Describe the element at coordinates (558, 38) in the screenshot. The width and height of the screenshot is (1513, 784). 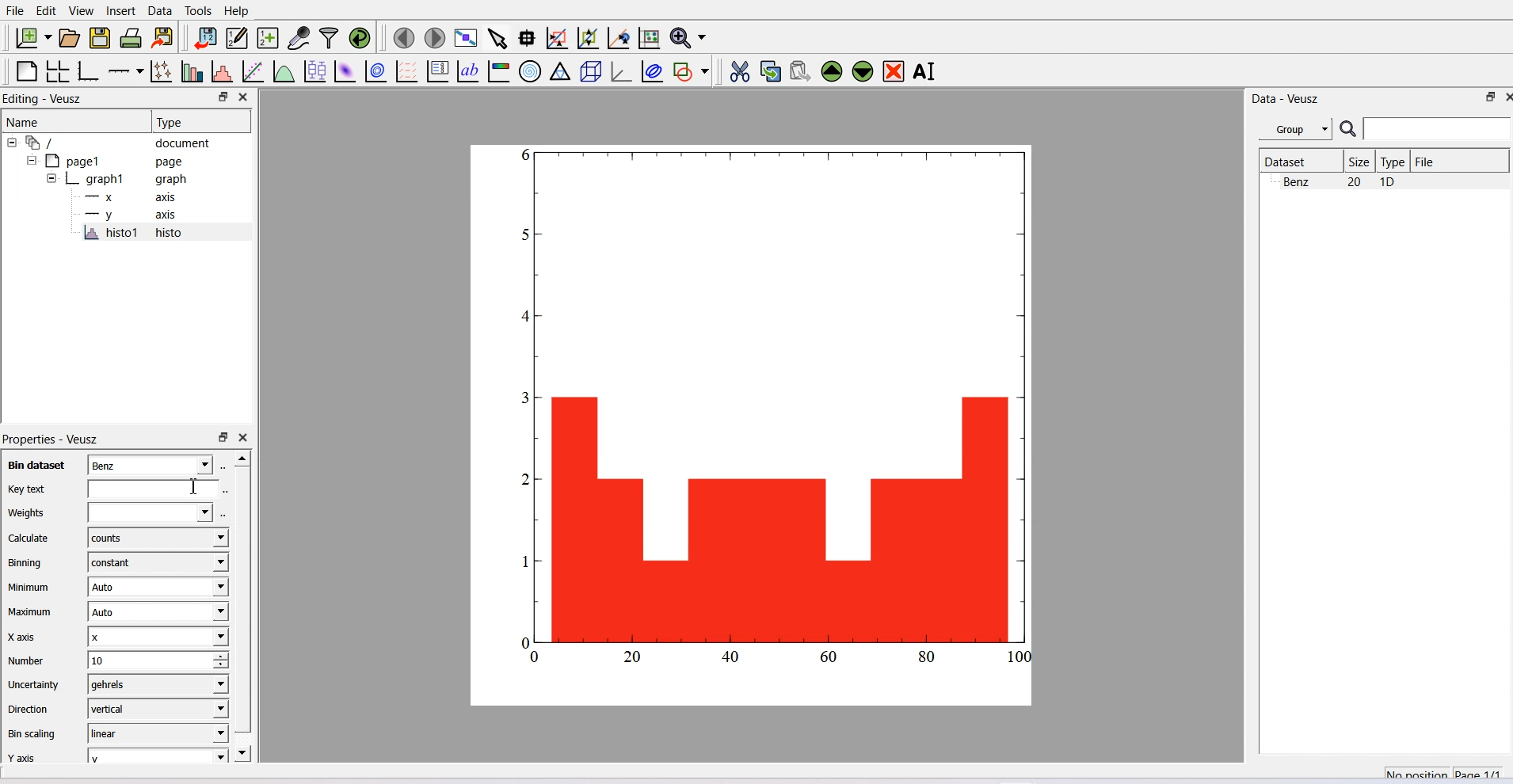
I see `Draw rectangle to zoom graph axes` at that location.